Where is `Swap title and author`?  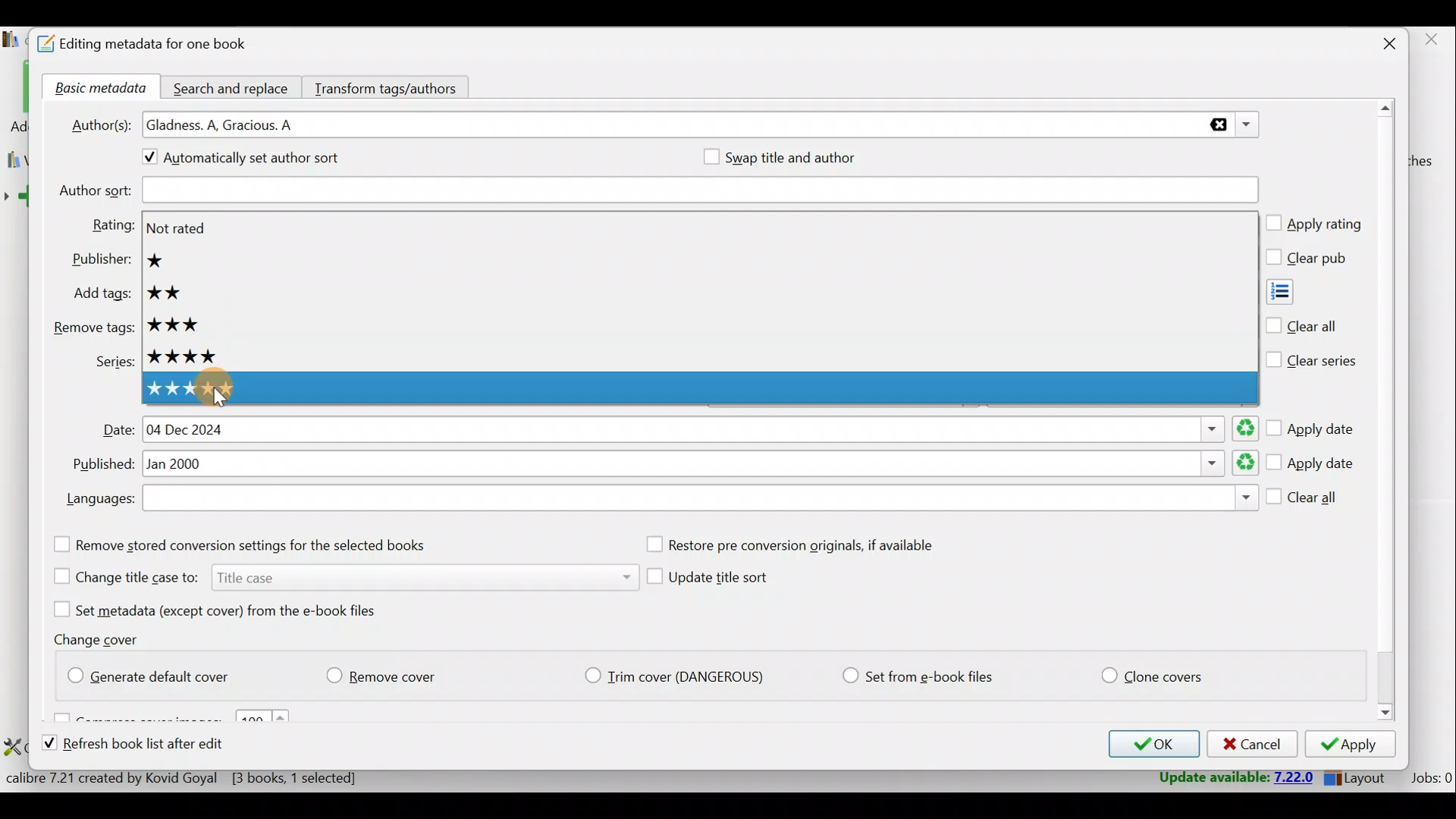 Swap title and author is located at coordinates (808, 157).